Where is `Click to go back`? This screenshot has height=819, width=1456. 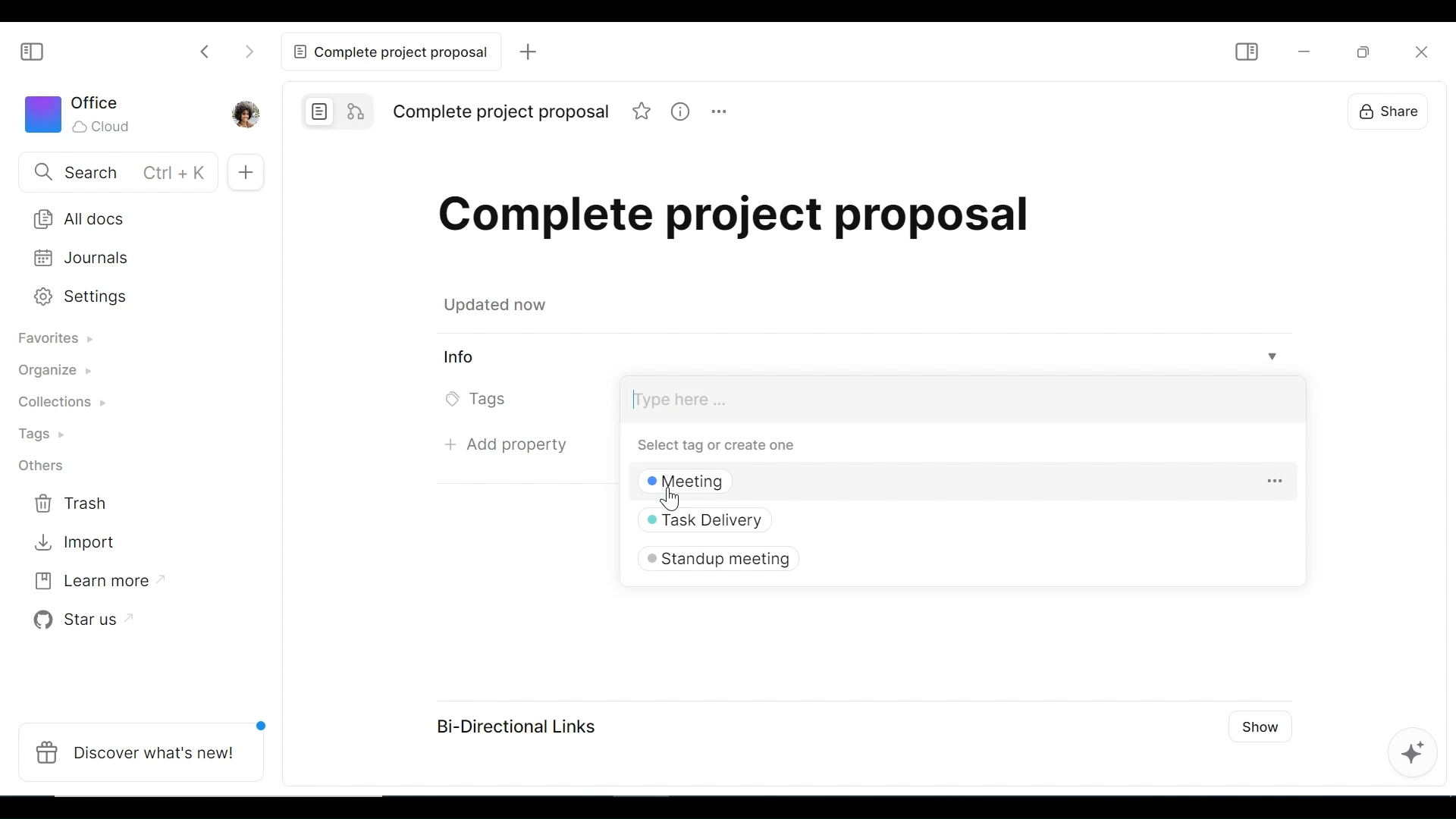
Click to go back is located at coordinates (199, 52).